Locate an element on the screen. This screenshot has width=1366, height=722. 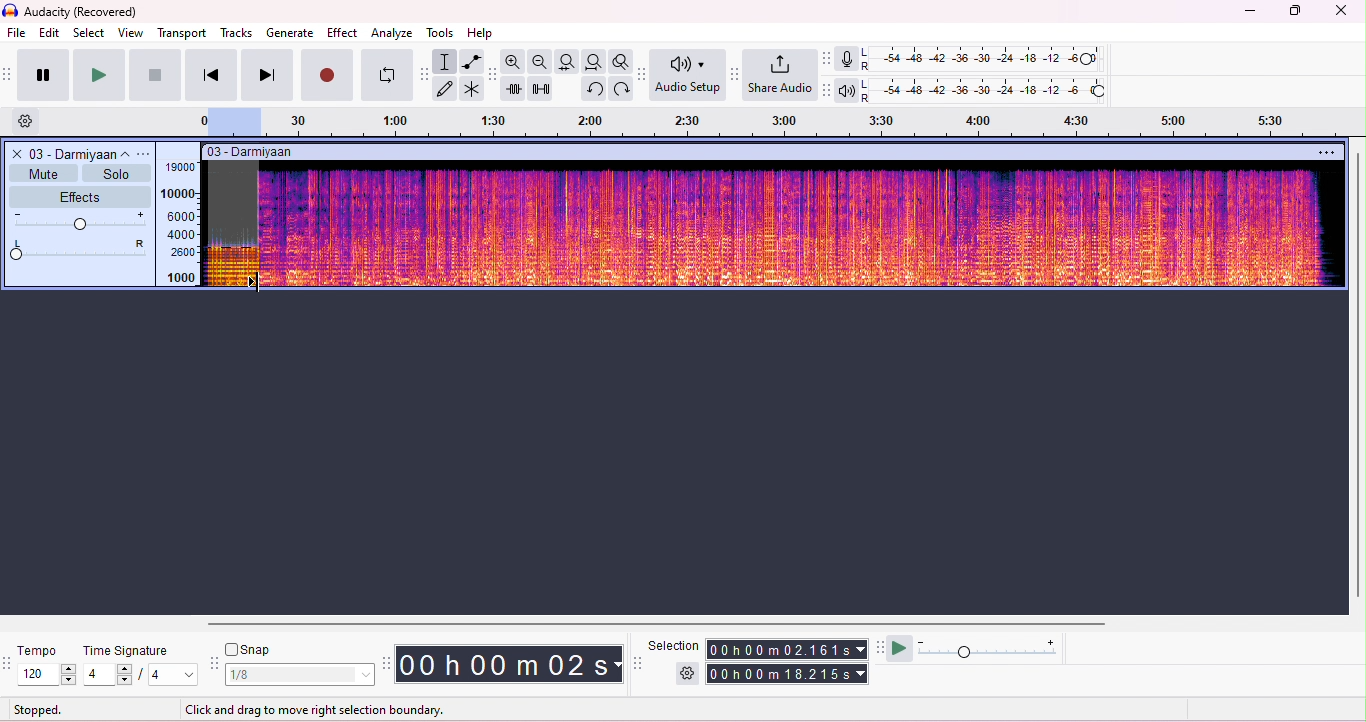
track is located at coordinates (78, 153).